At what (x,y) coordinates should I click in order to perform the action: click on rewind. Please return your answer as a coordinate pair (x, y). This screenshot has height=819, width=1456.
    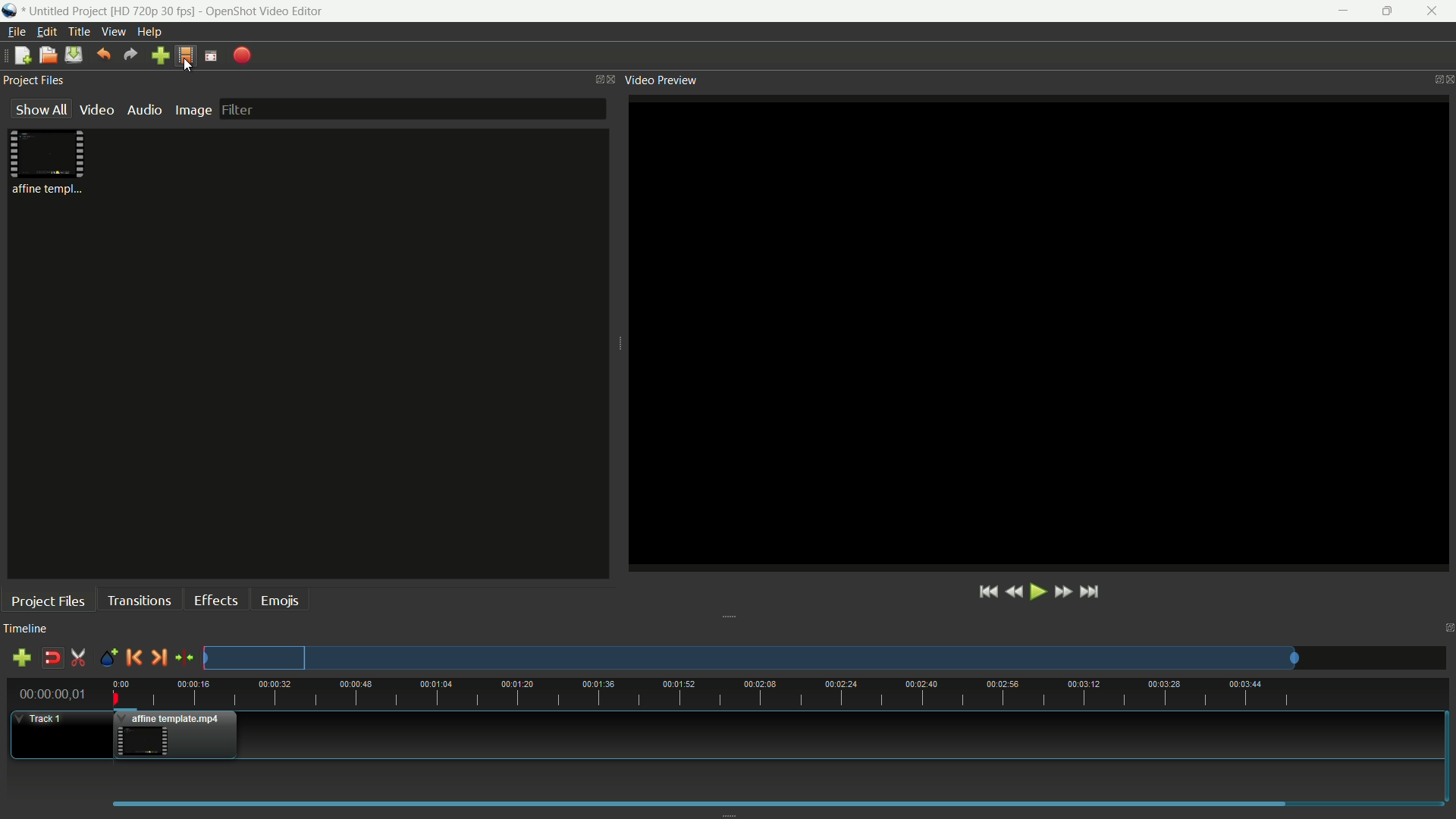
    Looking at the image, I should click on (1013, 591).